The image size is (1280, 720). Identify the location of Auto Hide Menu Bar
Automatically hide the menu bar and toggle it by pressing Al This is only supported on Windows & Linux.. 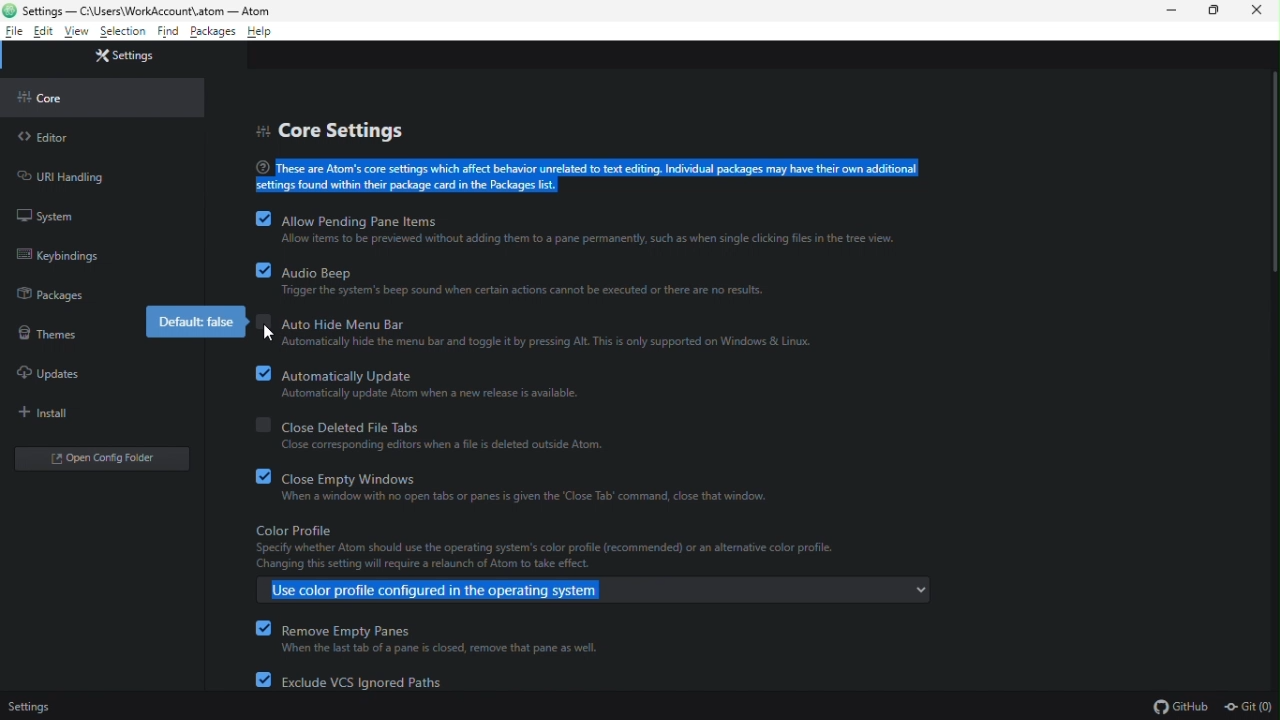
(575, 335).